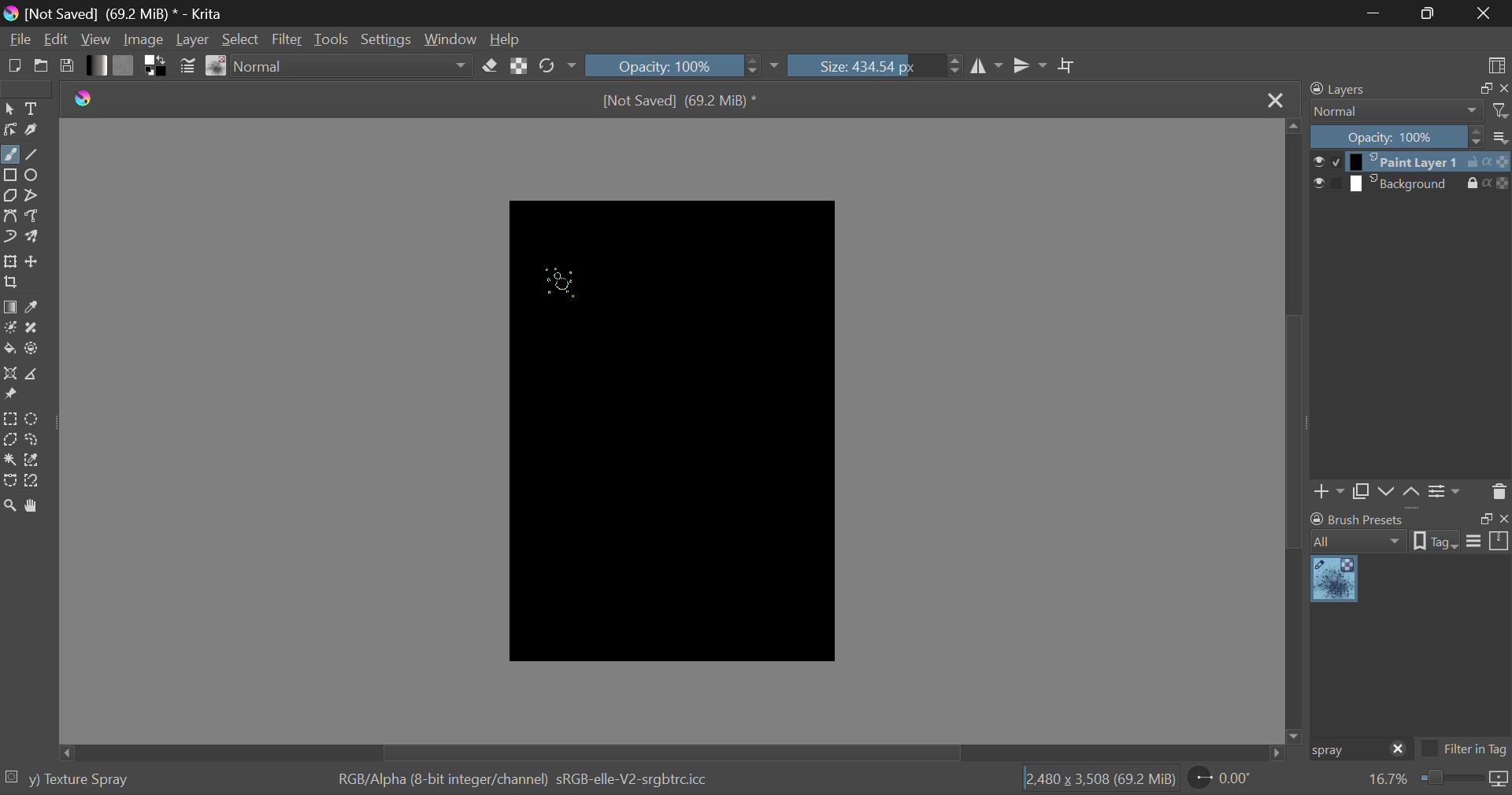 This screenshot has width=1512, height=795. I want to click on Filter, so click(287, 39).